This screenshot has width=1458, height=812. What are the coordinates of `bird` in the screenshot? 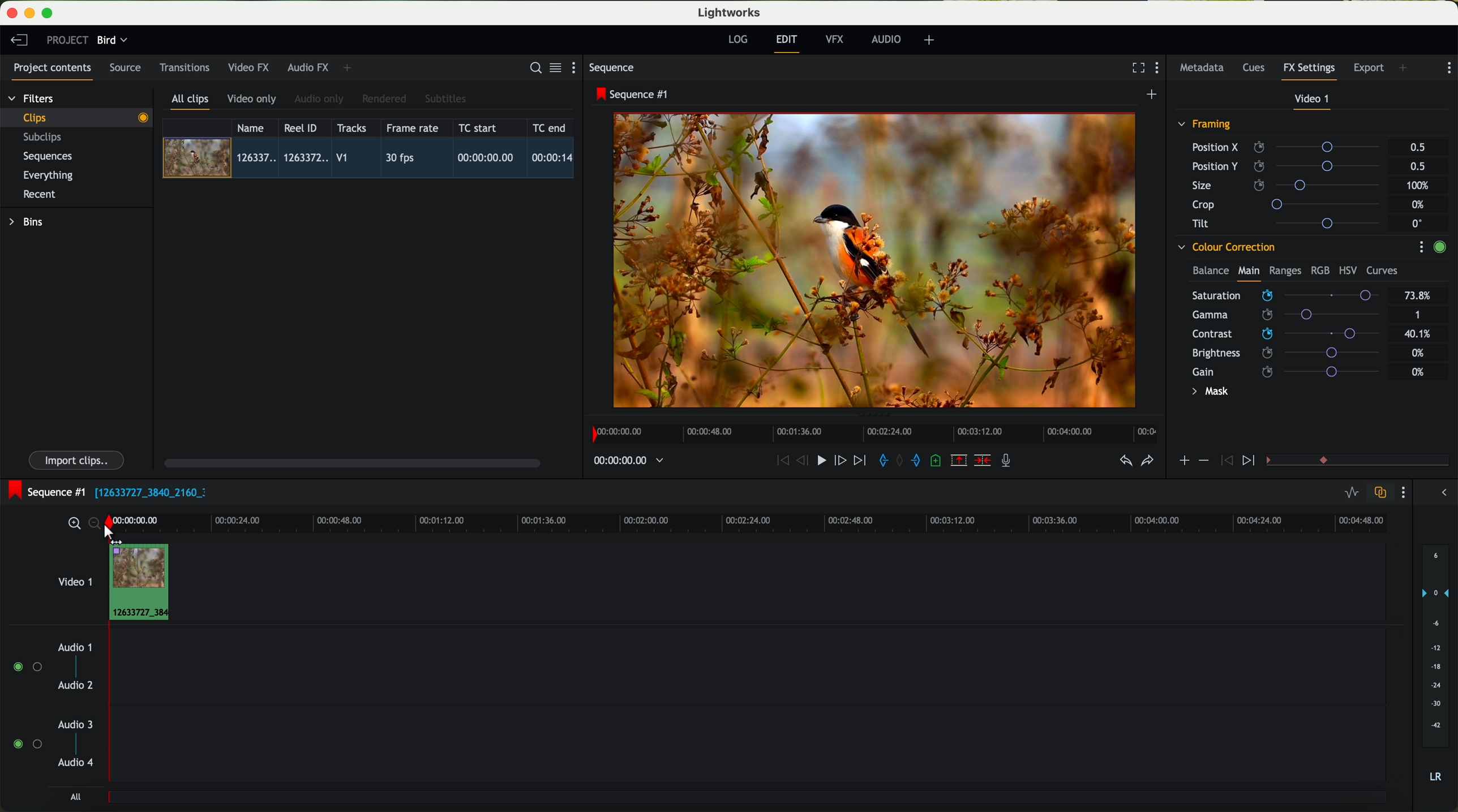 It's located at (112, 41).